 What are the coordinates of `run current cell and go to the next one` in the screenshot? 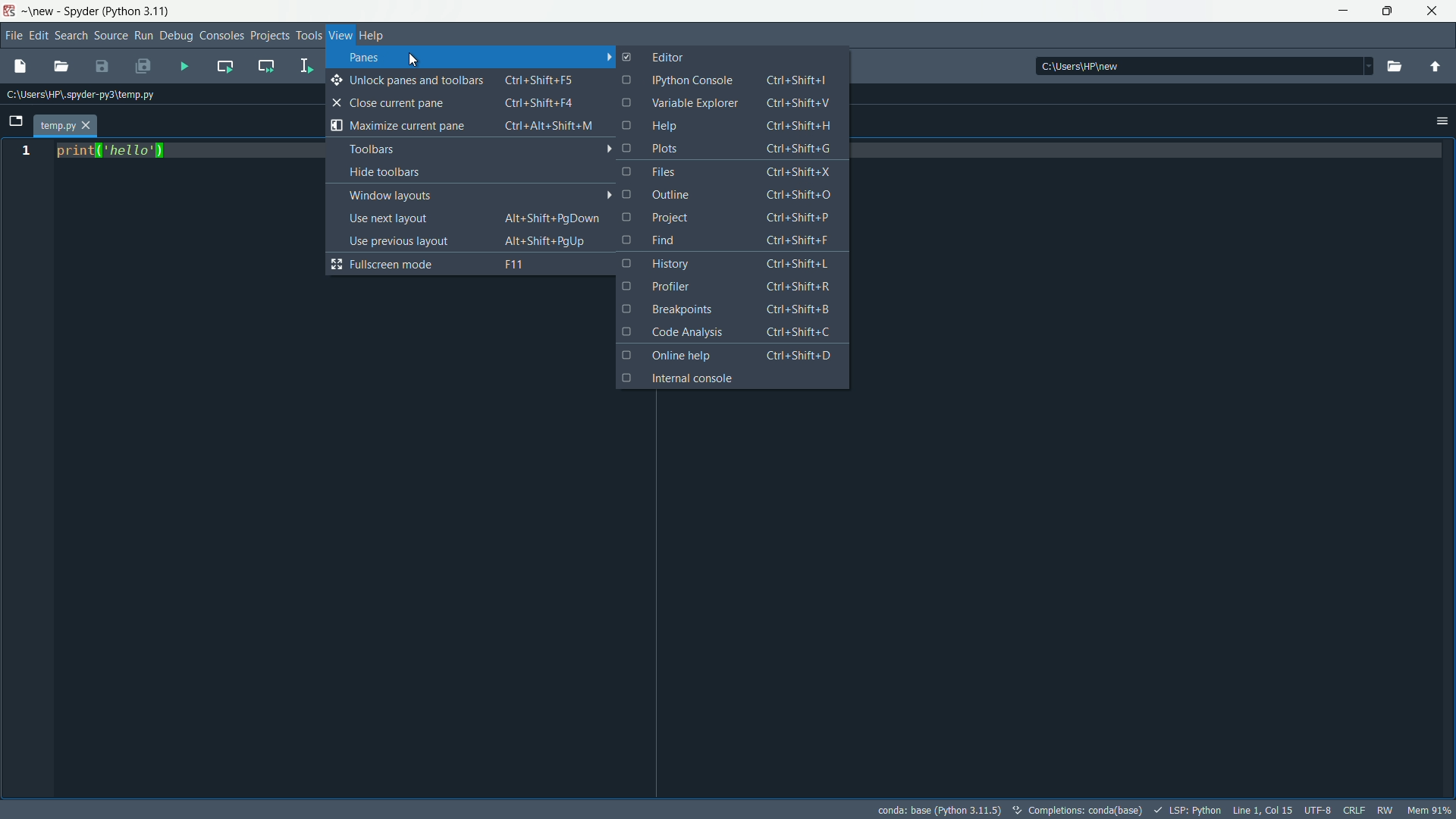 It's located at (267, 65).